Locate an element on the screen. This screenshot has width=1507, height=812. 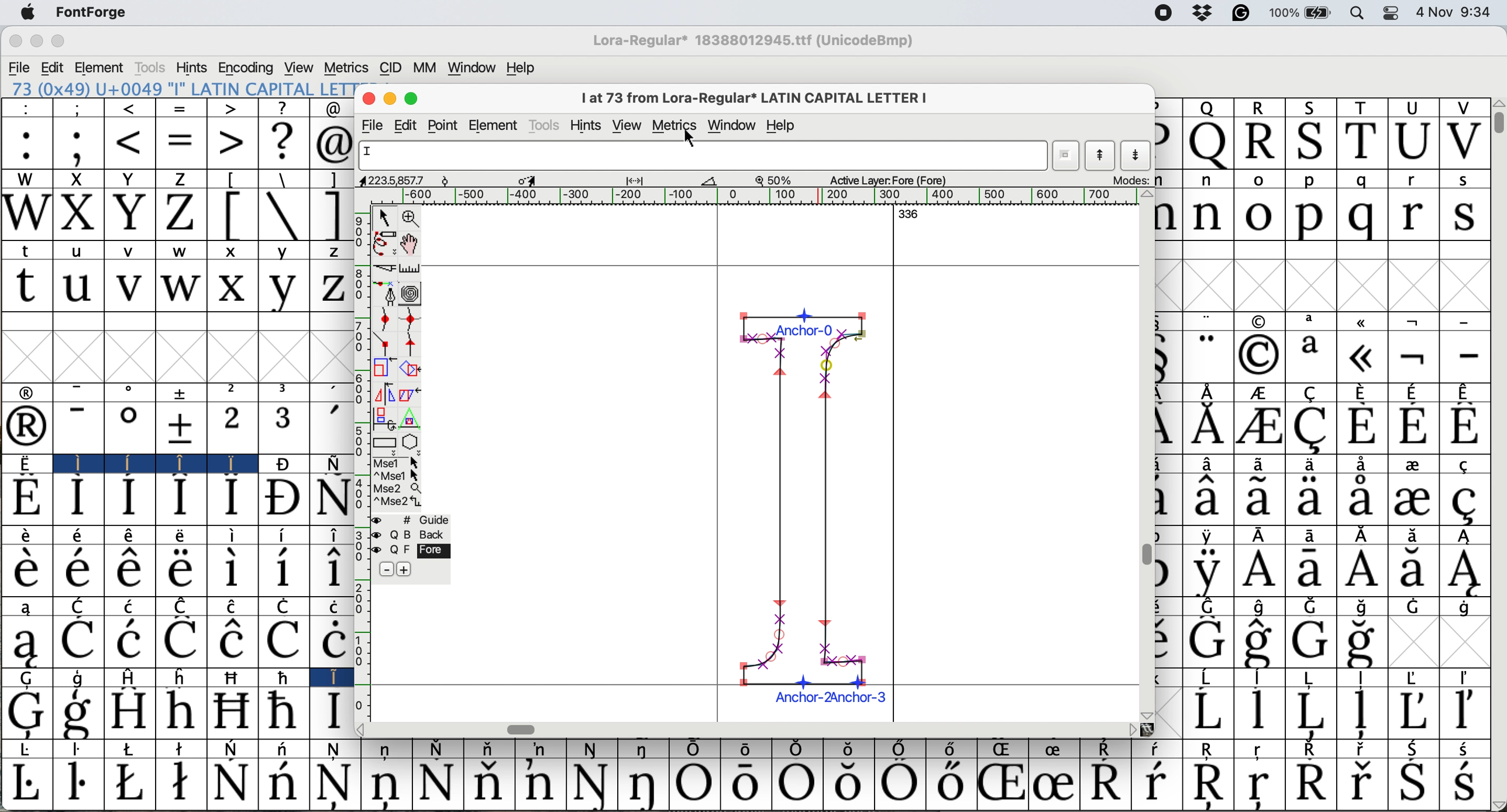
hint is located at coordinates (586, 125).